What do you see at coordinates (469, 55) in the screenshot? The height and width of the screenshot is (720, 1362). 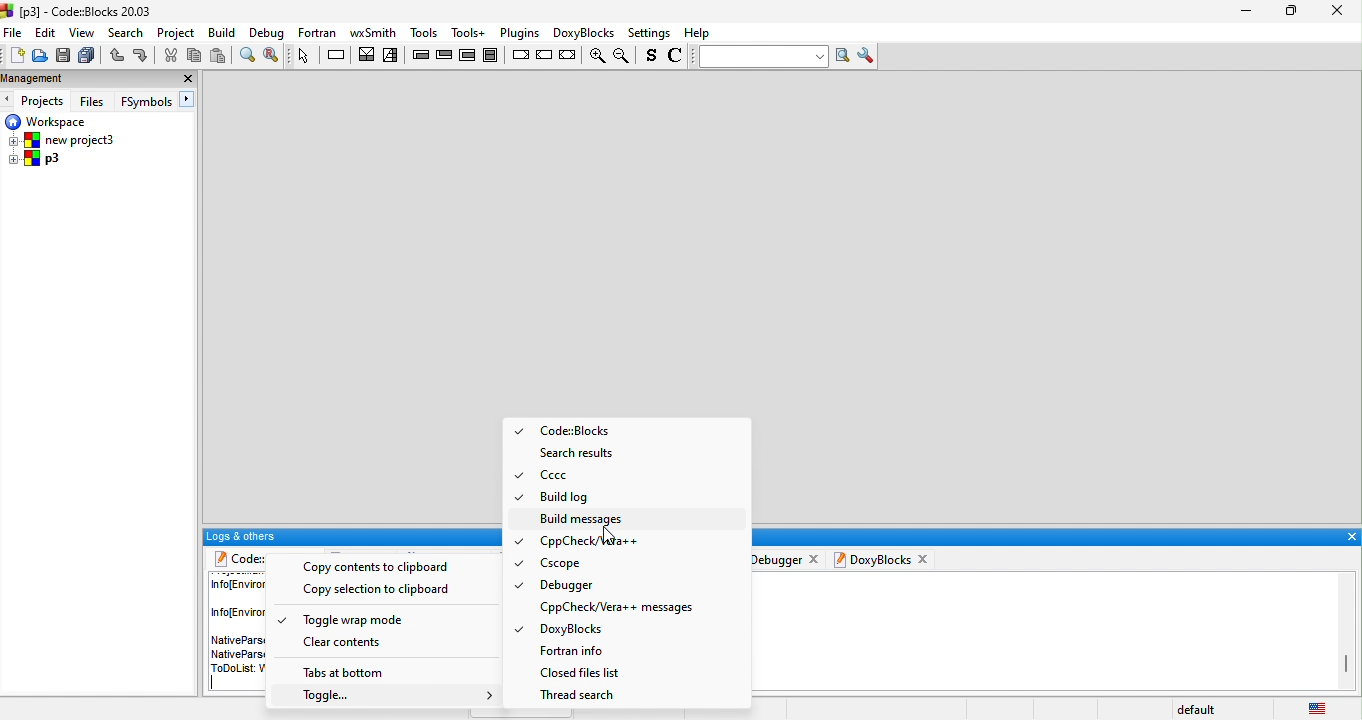 I see `counting loop` at bounding box center [469, 55].